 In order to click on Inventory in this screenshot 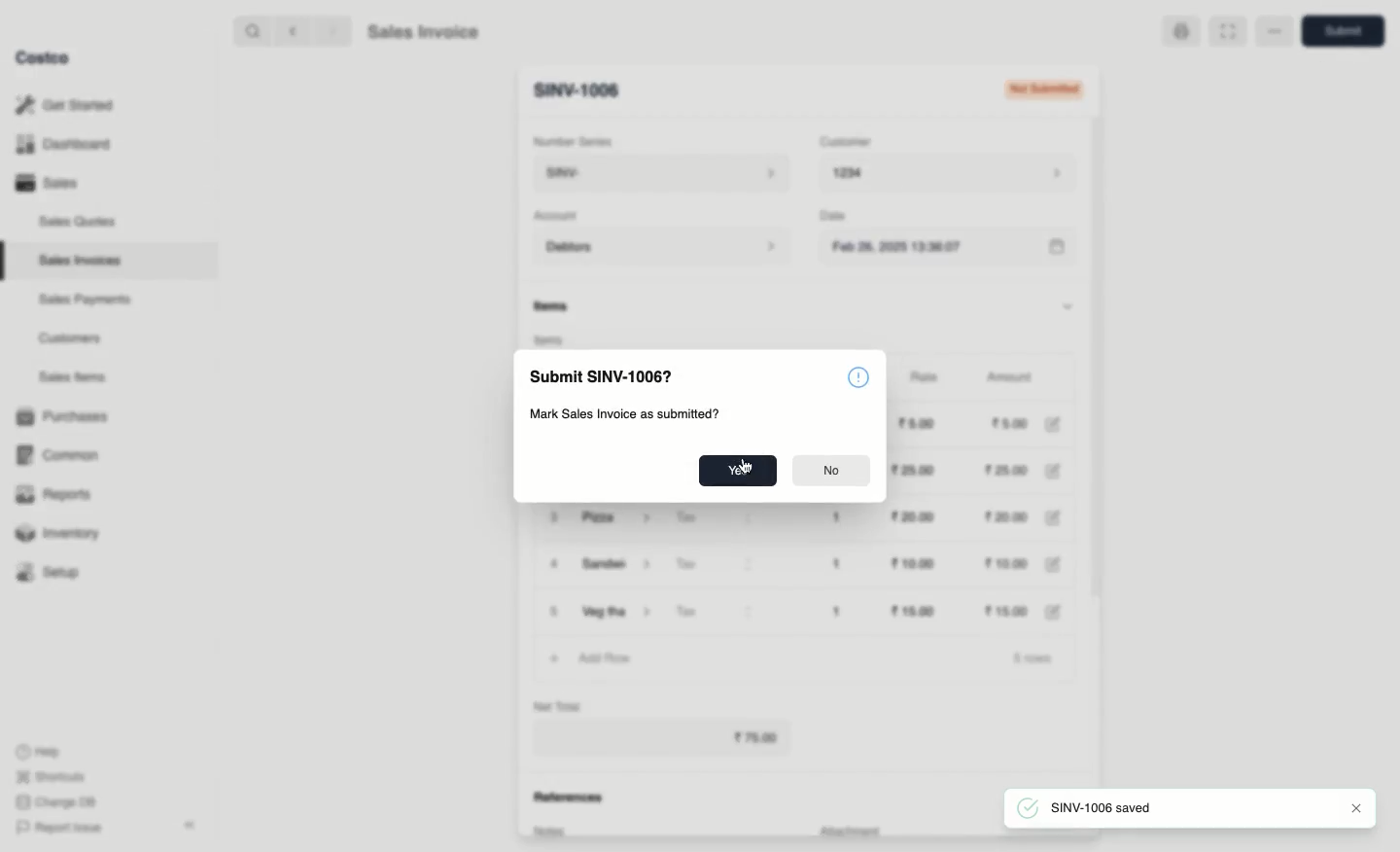, I will do `click(61, 531)`.